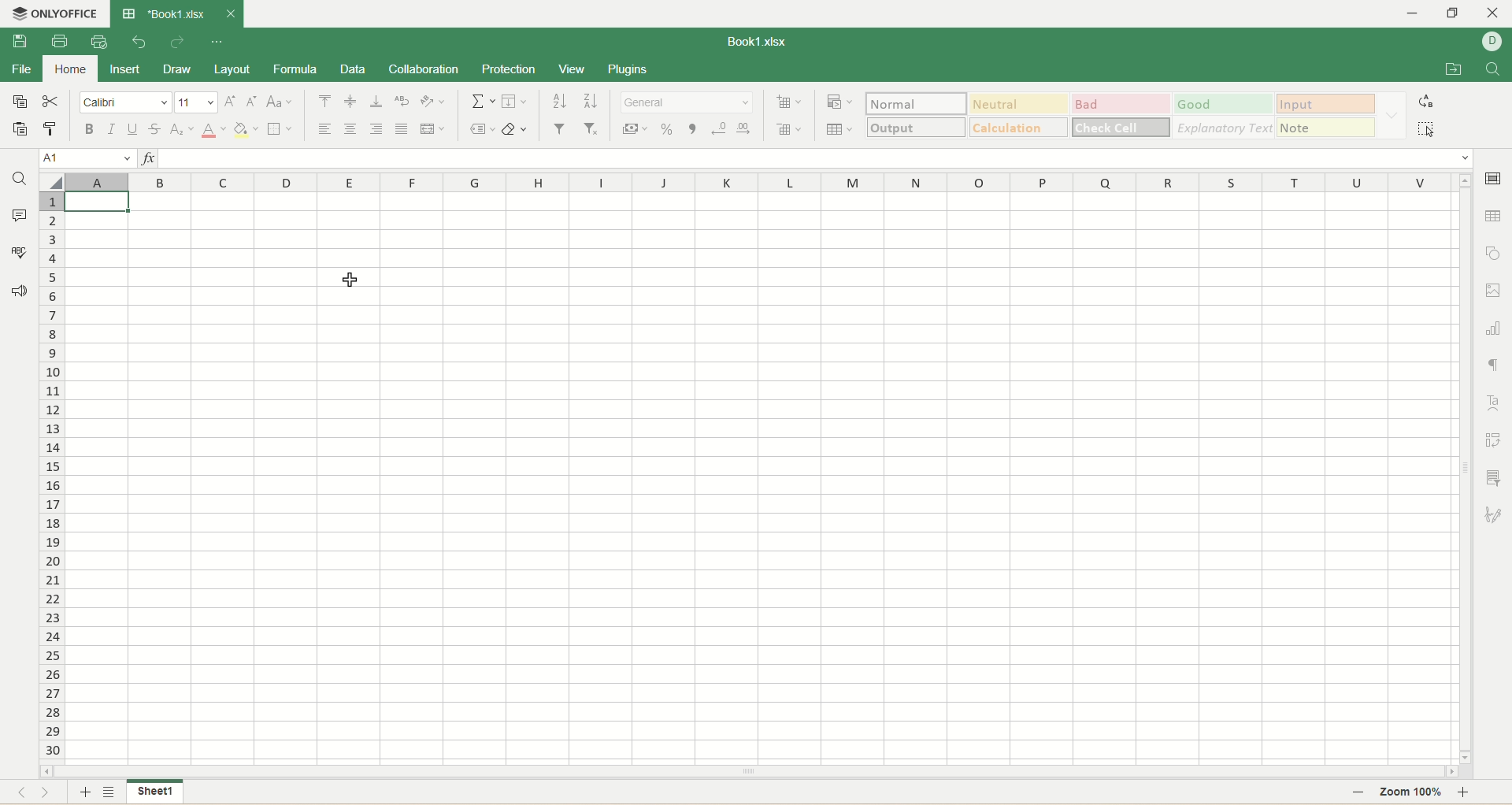 This screenshot has width=1512, height=805. I want to click on align center, so click(351, 129).